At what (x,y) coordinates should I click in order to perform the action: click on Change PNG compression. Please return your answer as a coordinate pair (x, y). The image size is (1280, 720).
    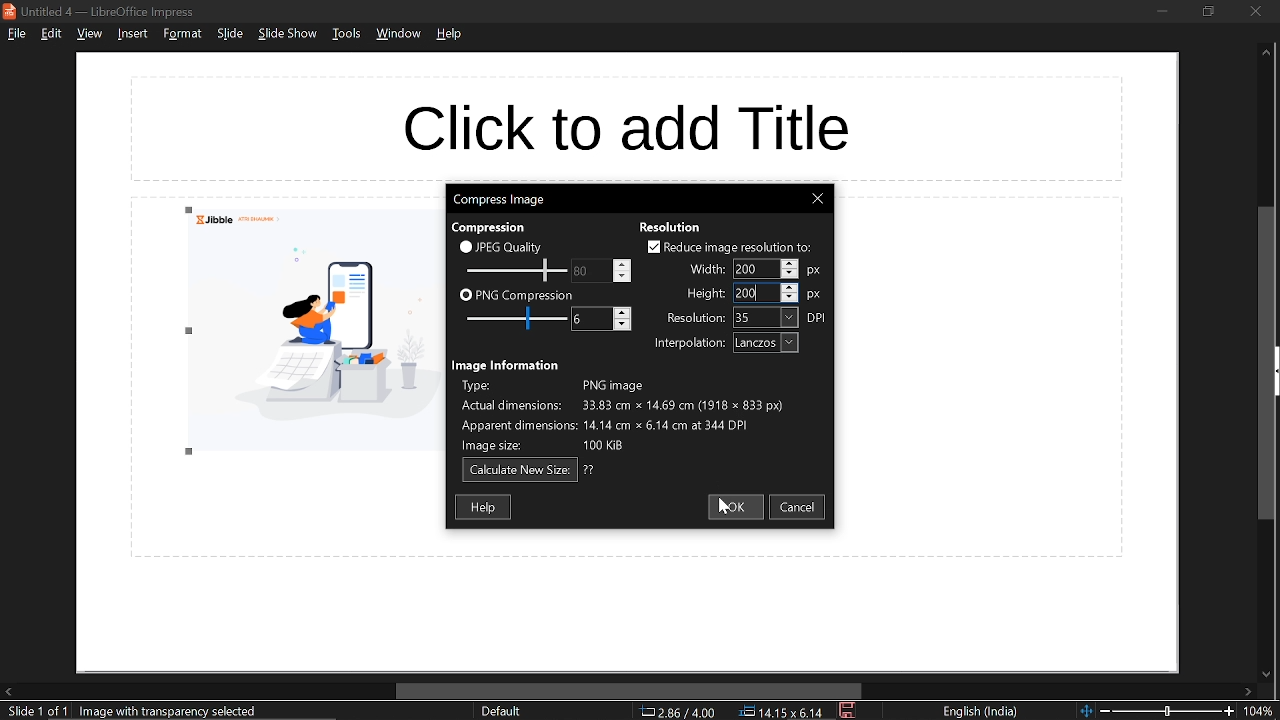
    Looking at the image, I should click on (591, 319).